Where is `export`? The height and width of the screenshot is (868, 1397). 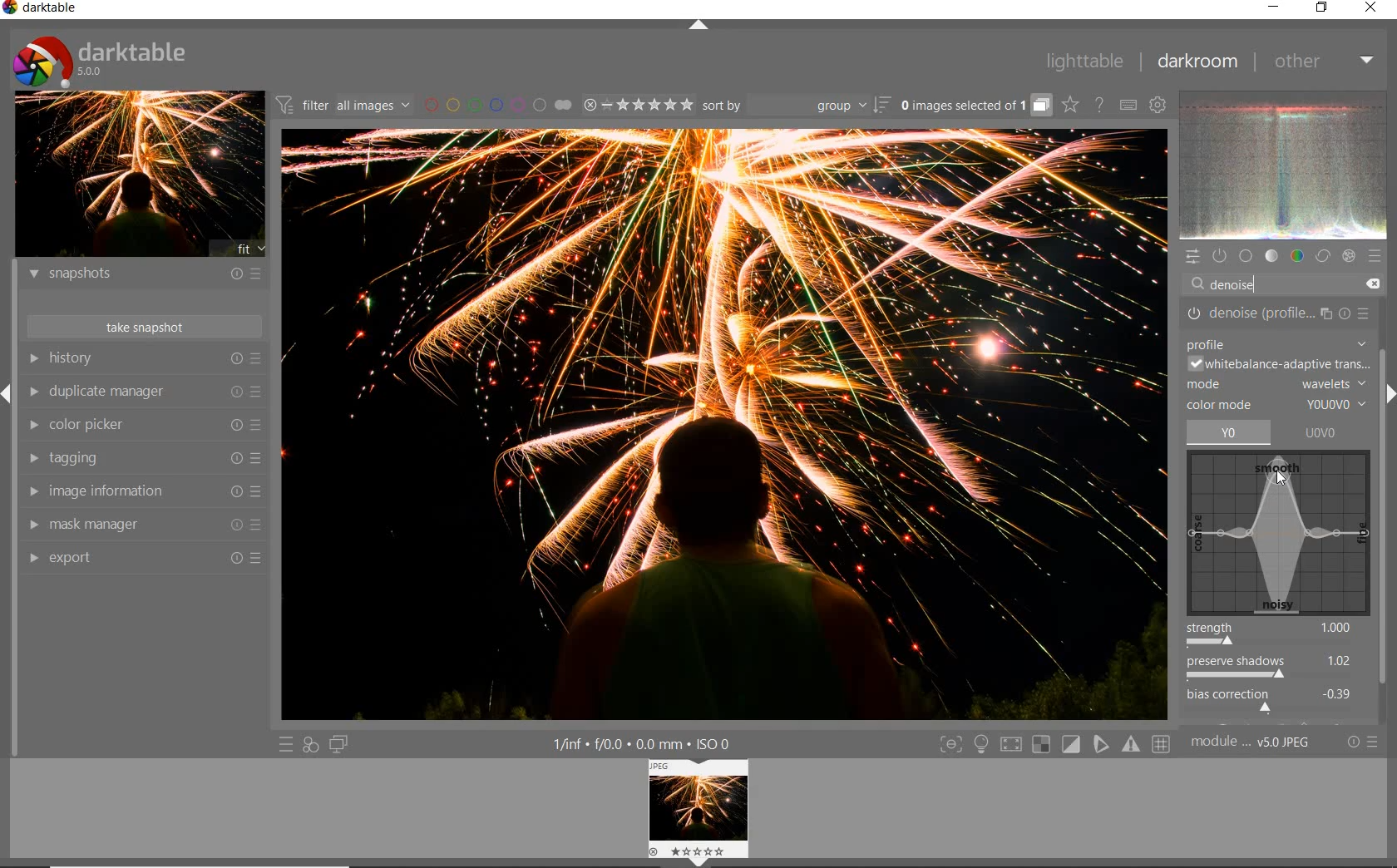
export is located at coordinates (143, 556).